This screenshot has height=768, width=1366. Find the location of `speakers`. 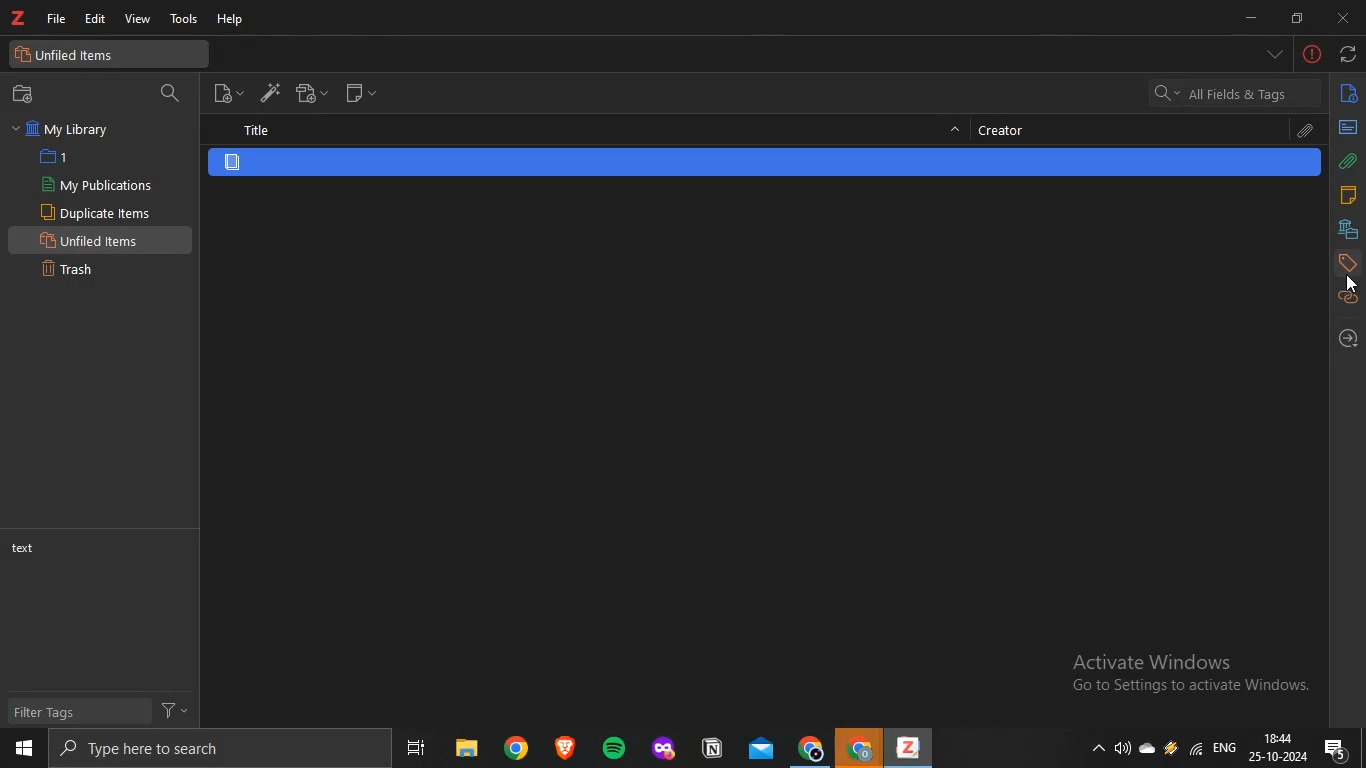

speakers is located at coordinates (1121, 749).